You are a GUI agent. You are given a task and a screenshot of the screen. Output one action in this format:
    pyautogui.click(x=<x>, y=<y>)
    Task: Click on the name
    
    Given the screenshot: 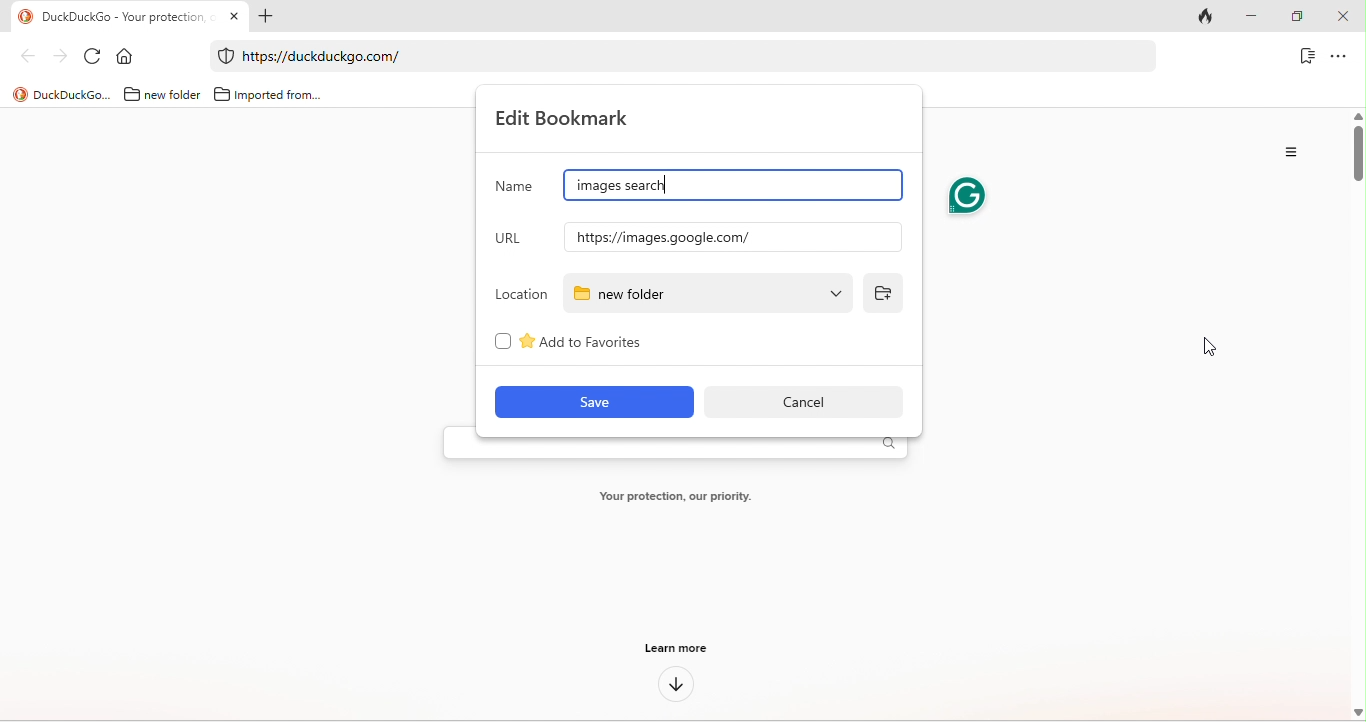 What is the action you would take?
    pyautogui.click(x=519, y=186)
    